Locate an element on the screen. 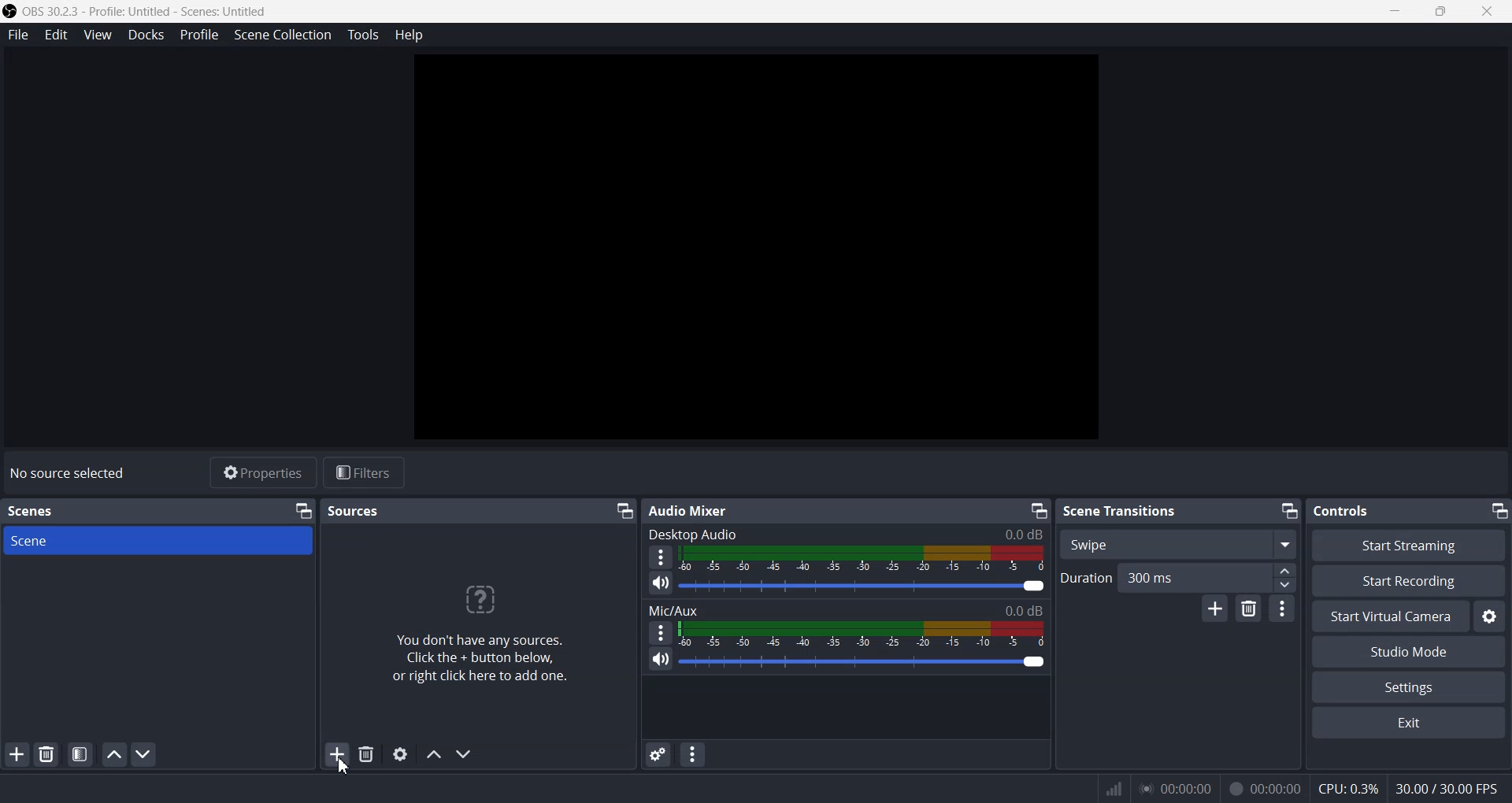 This screenshot has width=1512, height=803. Sources is located at coordinates (355, 510).